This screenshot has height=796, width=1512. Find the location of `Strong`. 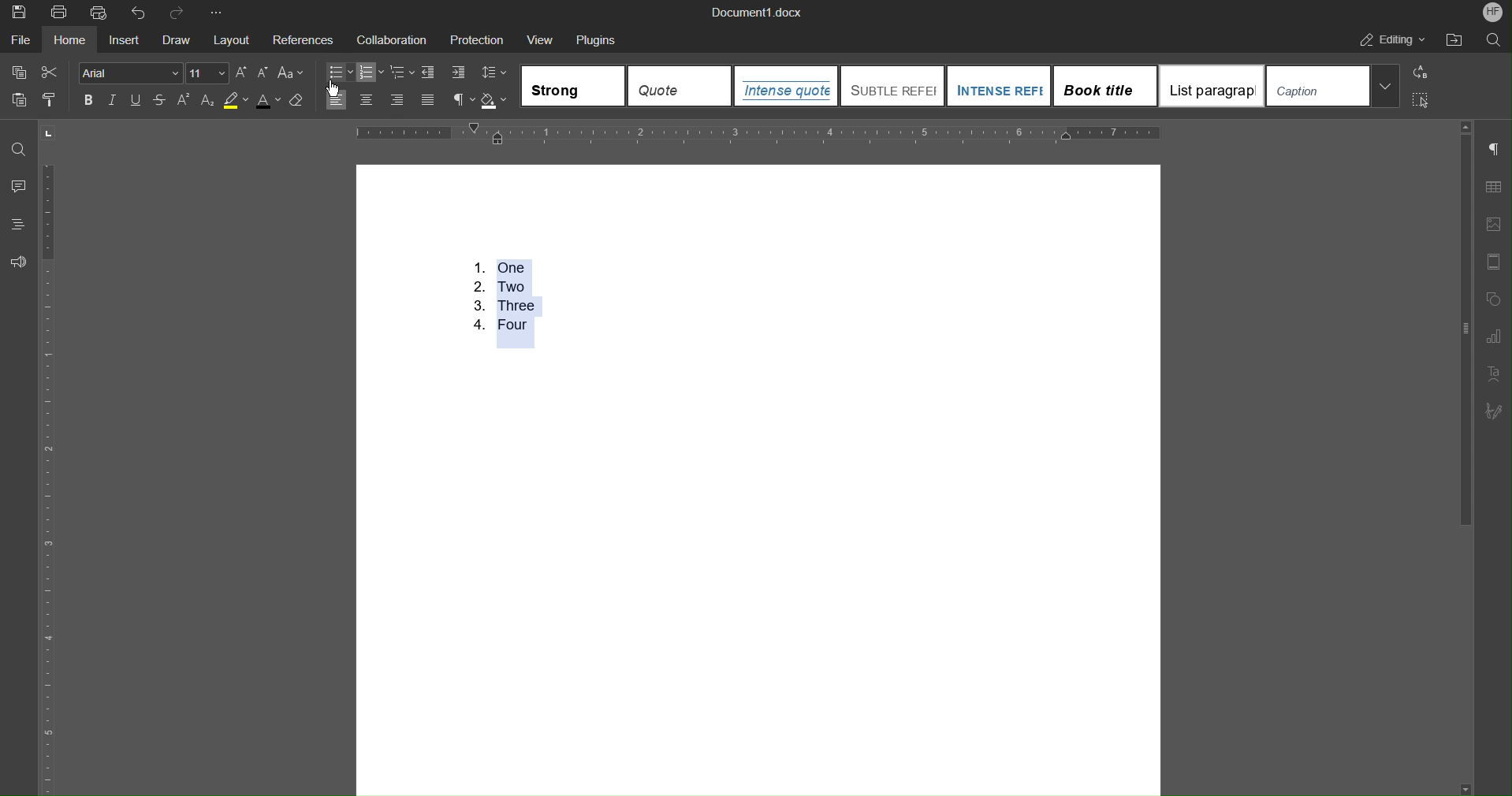

Strong is located at coordinates (574, 86).